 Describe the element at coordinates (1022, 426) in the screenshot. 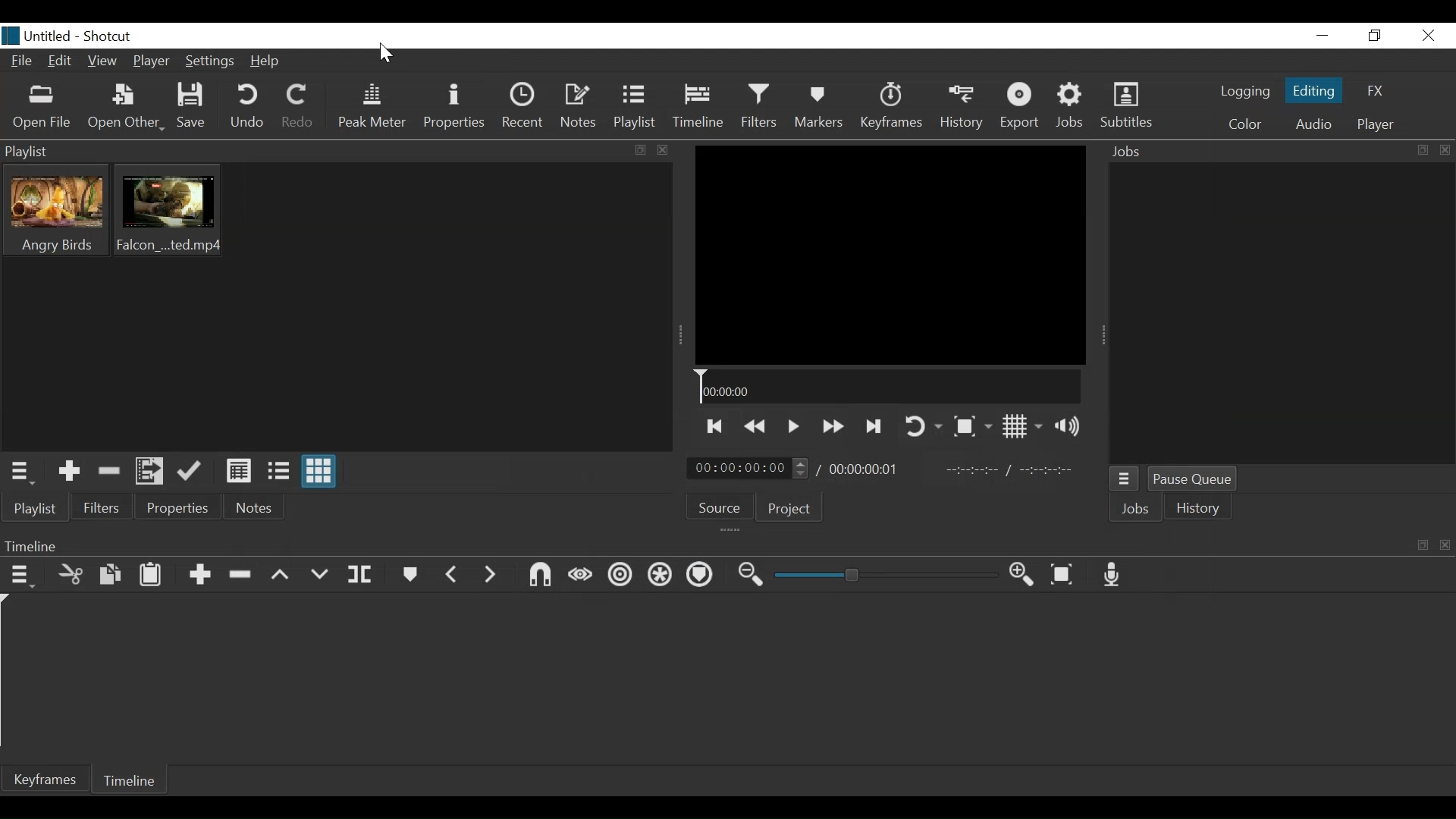

I see `Toggle display grid on player` at that location.